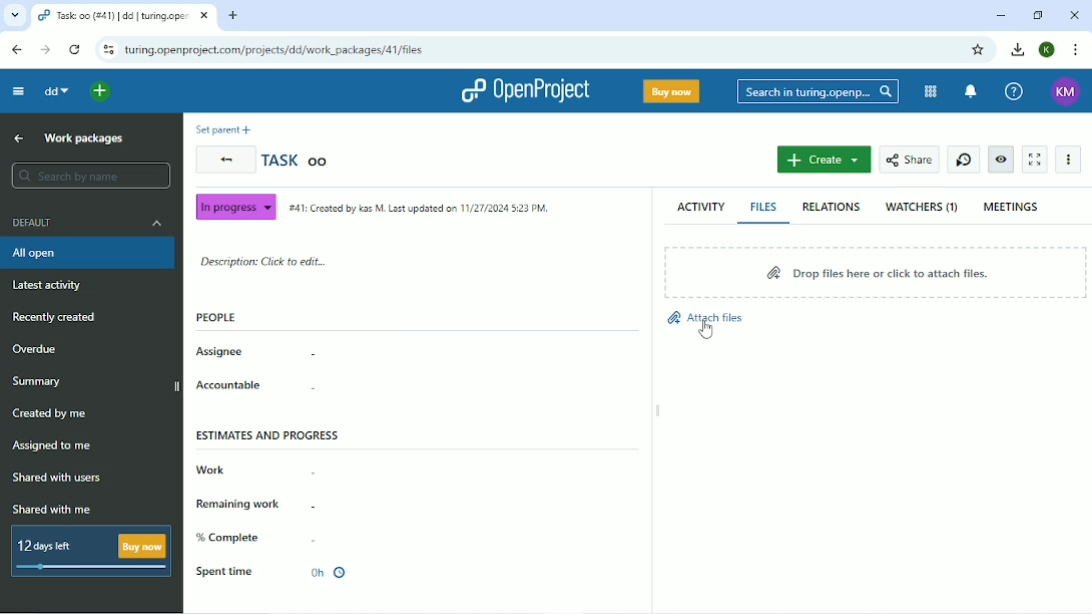  Describe the element at coordinates (57, 318) in the screenshot. I see `Recently created` at that location.